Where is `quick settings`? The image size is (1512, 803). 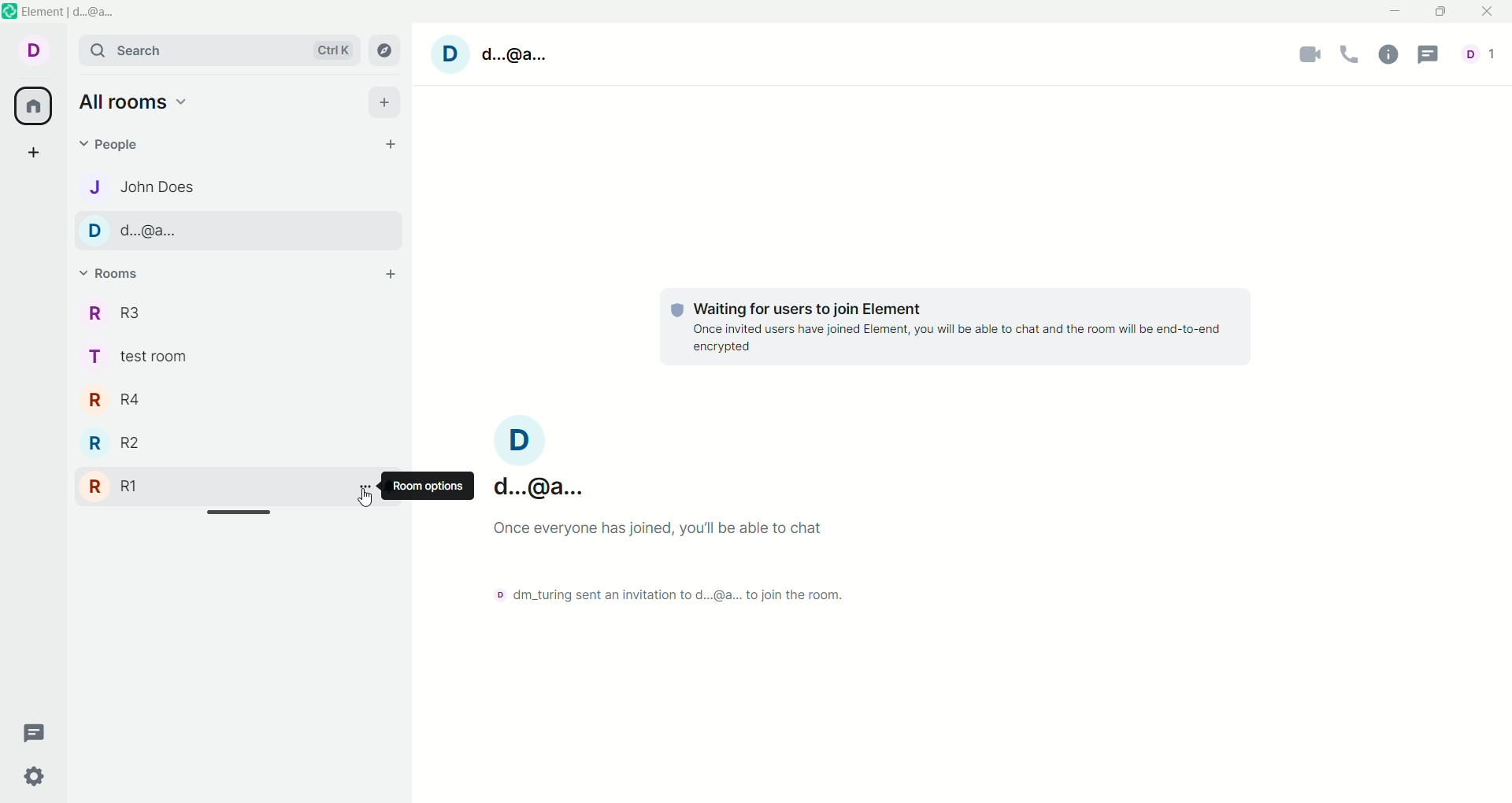 quick settings is located at coordinates (35, 779).